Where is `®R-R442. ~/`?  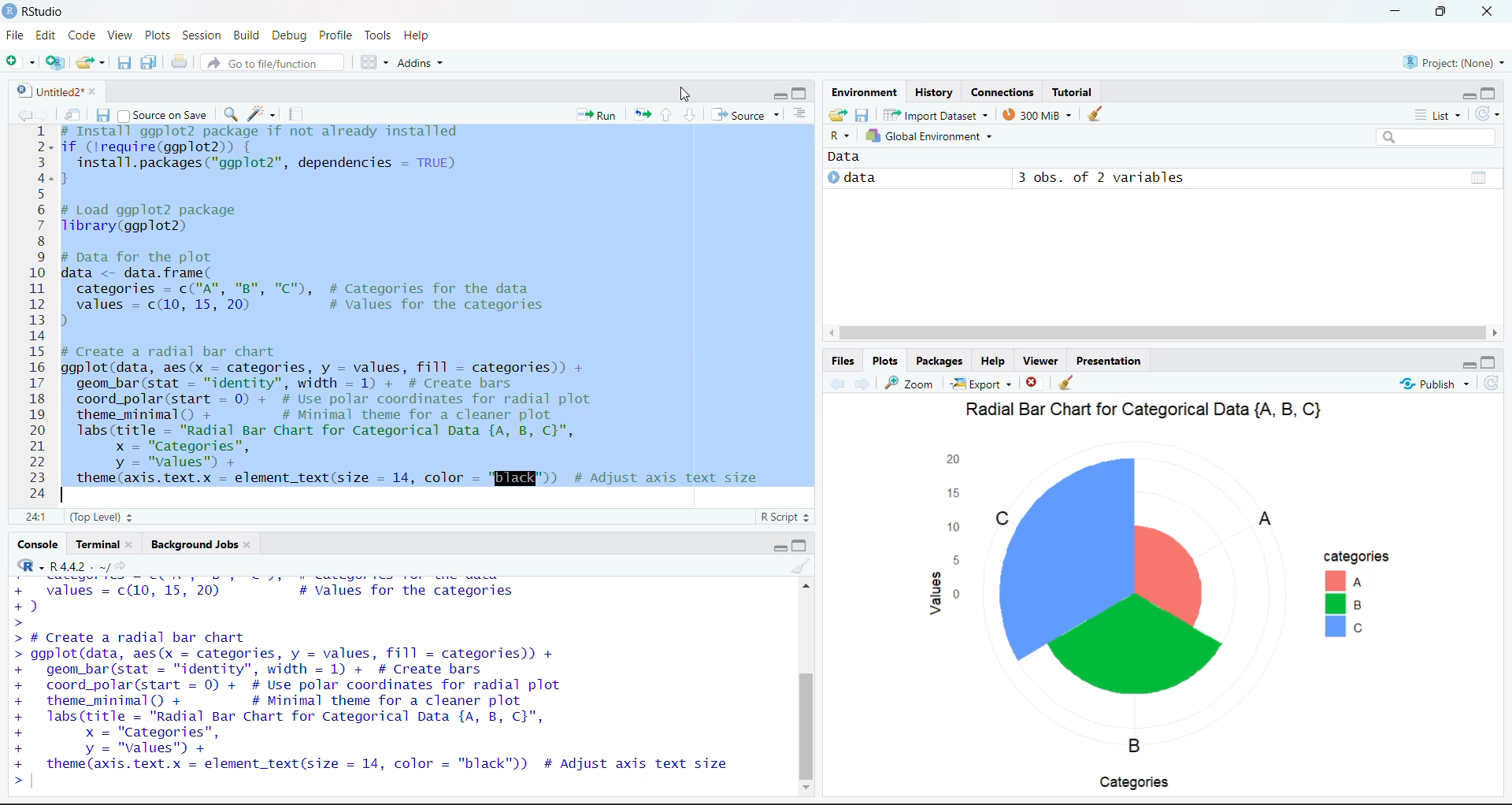 ®R-R442. ~/ is located at coordinates (69, 566).